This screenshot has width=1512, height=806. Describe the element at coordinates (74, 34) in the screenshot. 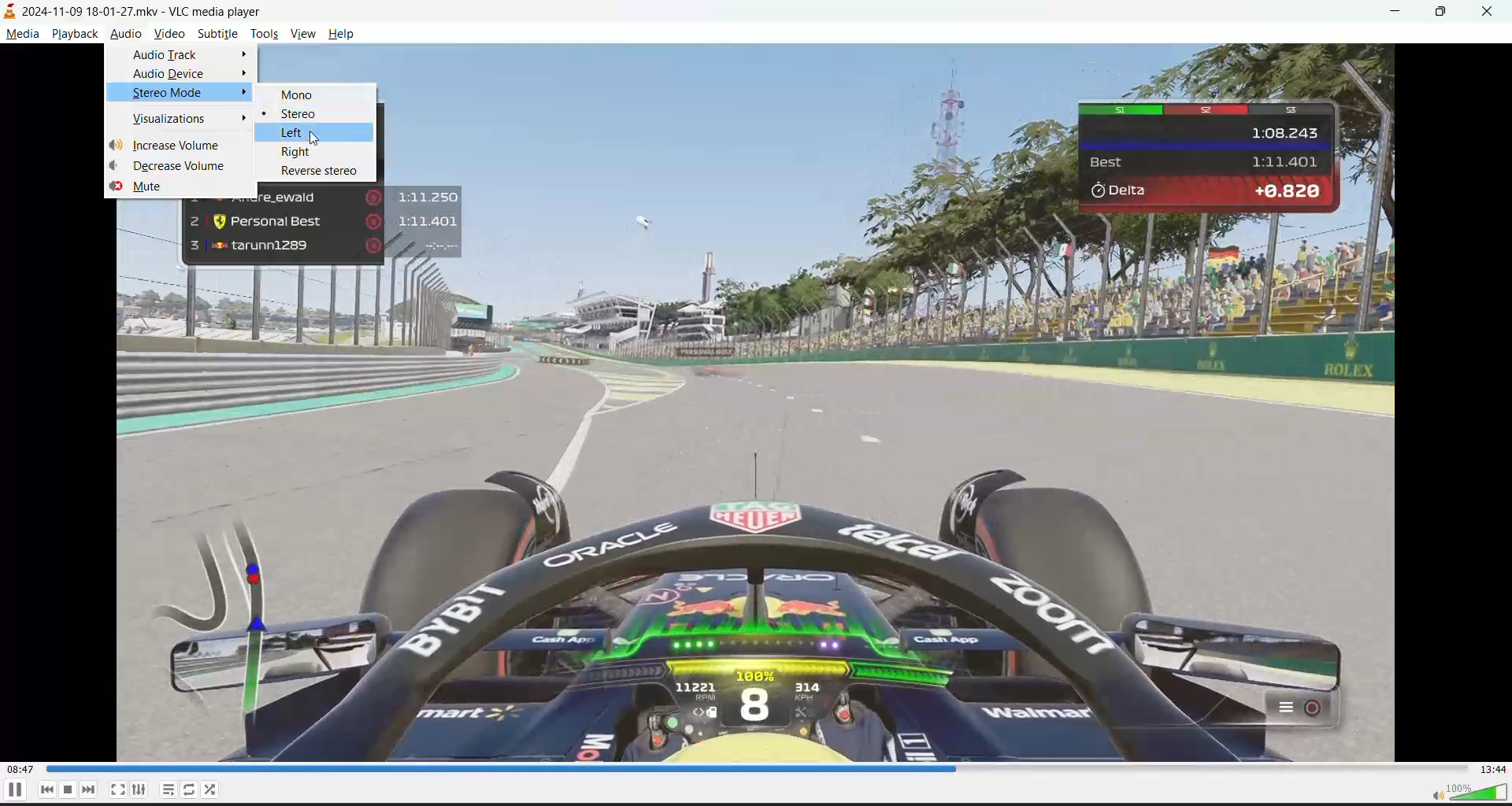

I see `playback` at that location.